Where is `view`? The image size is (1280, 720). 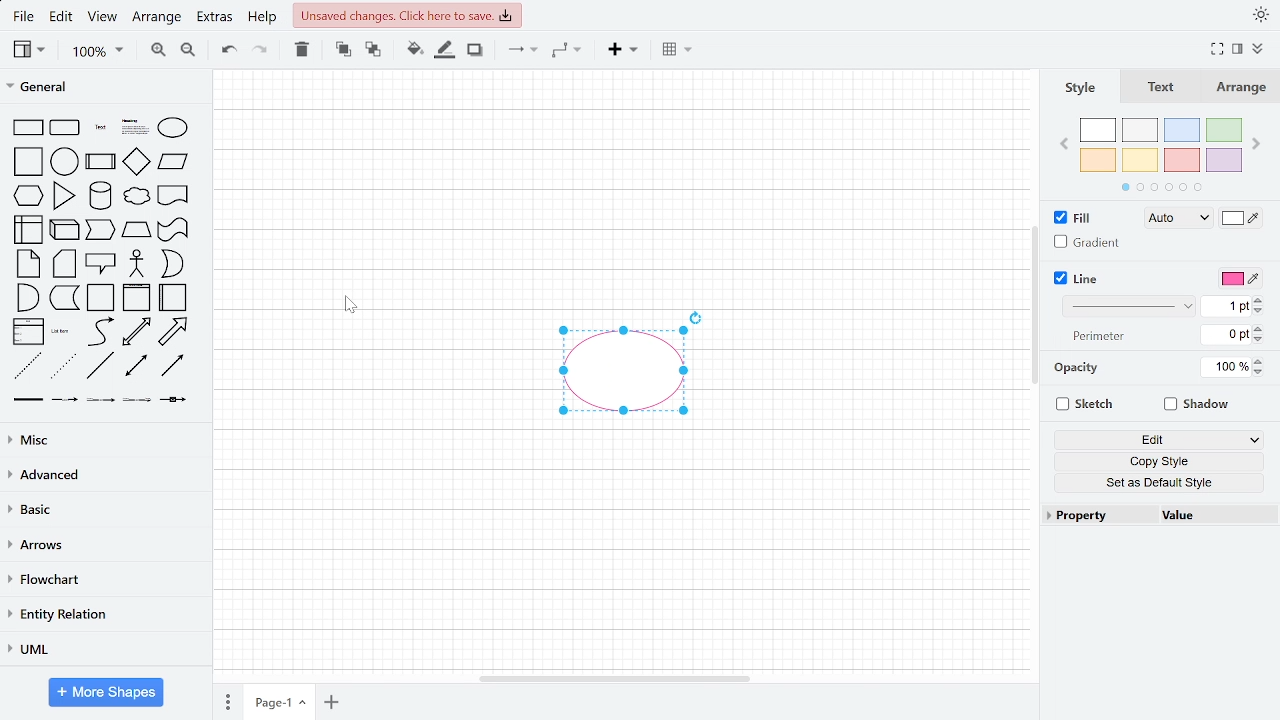 view is located at coordinates (29, 50).